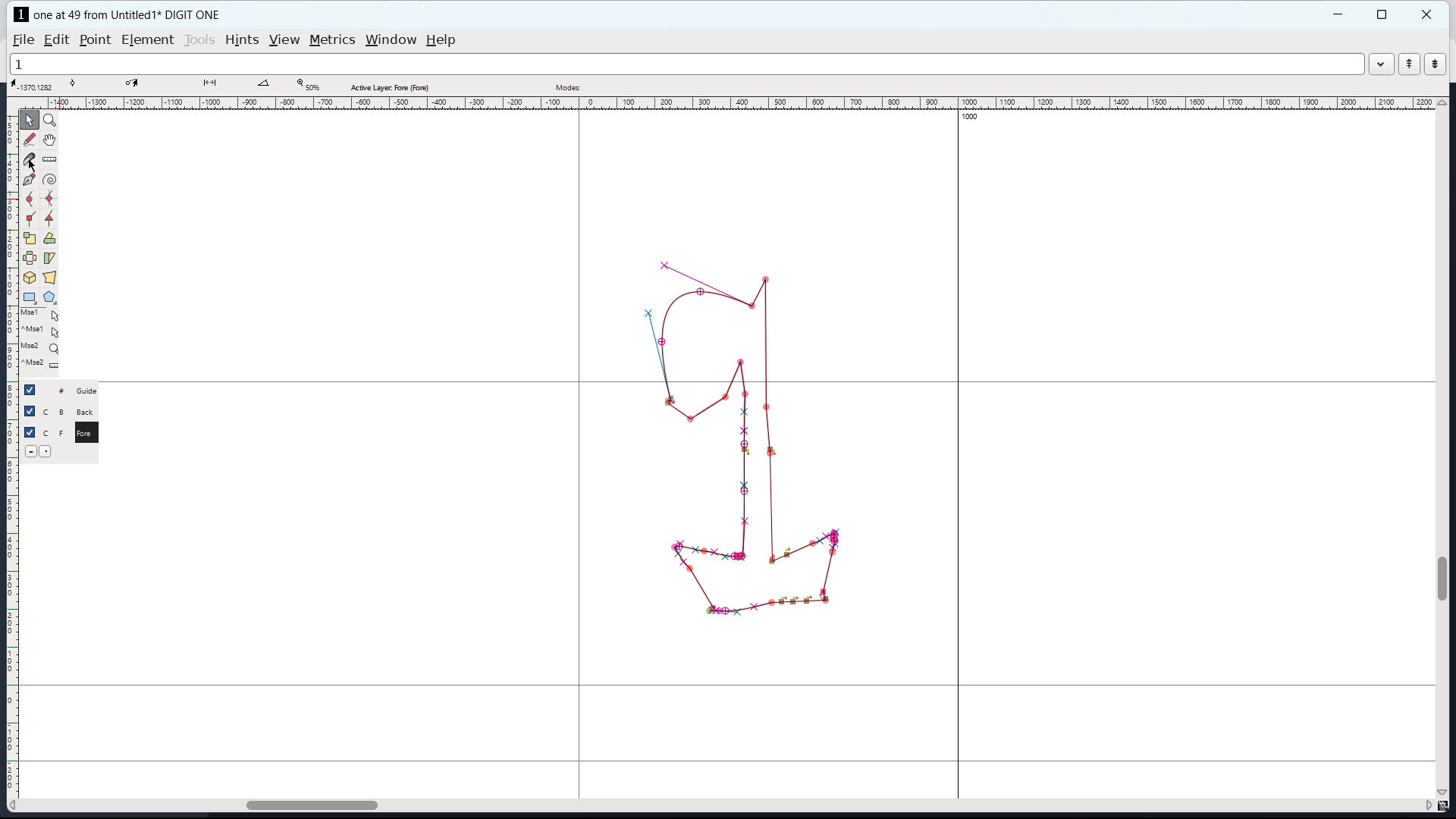 The width and height of the screenshot is (1456, 819). What do you see at coordinates (1340, 14) in the screenshot?
I see `minimize` at bounding box center [1340, 14].